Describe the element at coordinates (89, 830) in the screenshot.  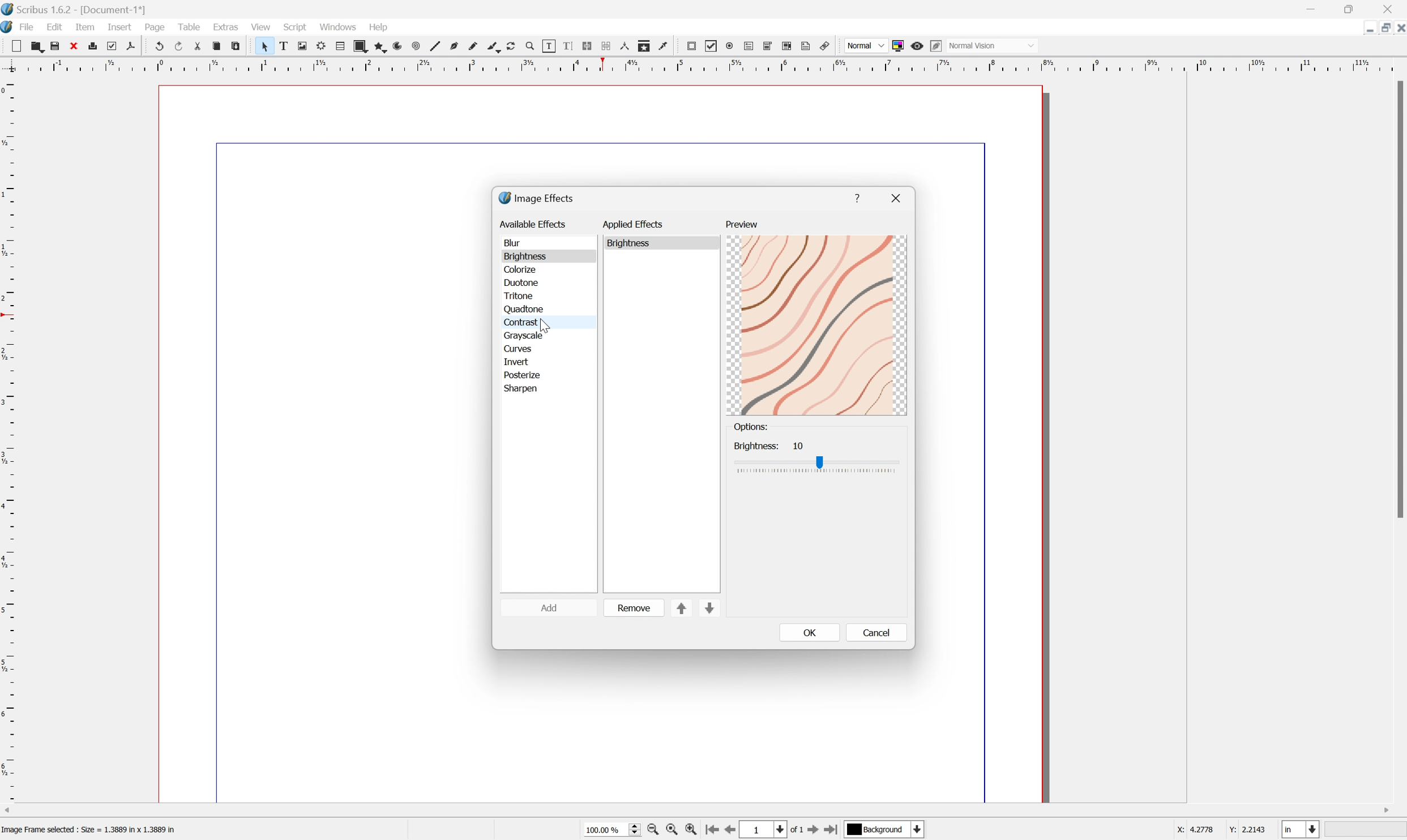
I see `Image Frame selected : Size = 1.3889 in x 1.3889 in` at that location.